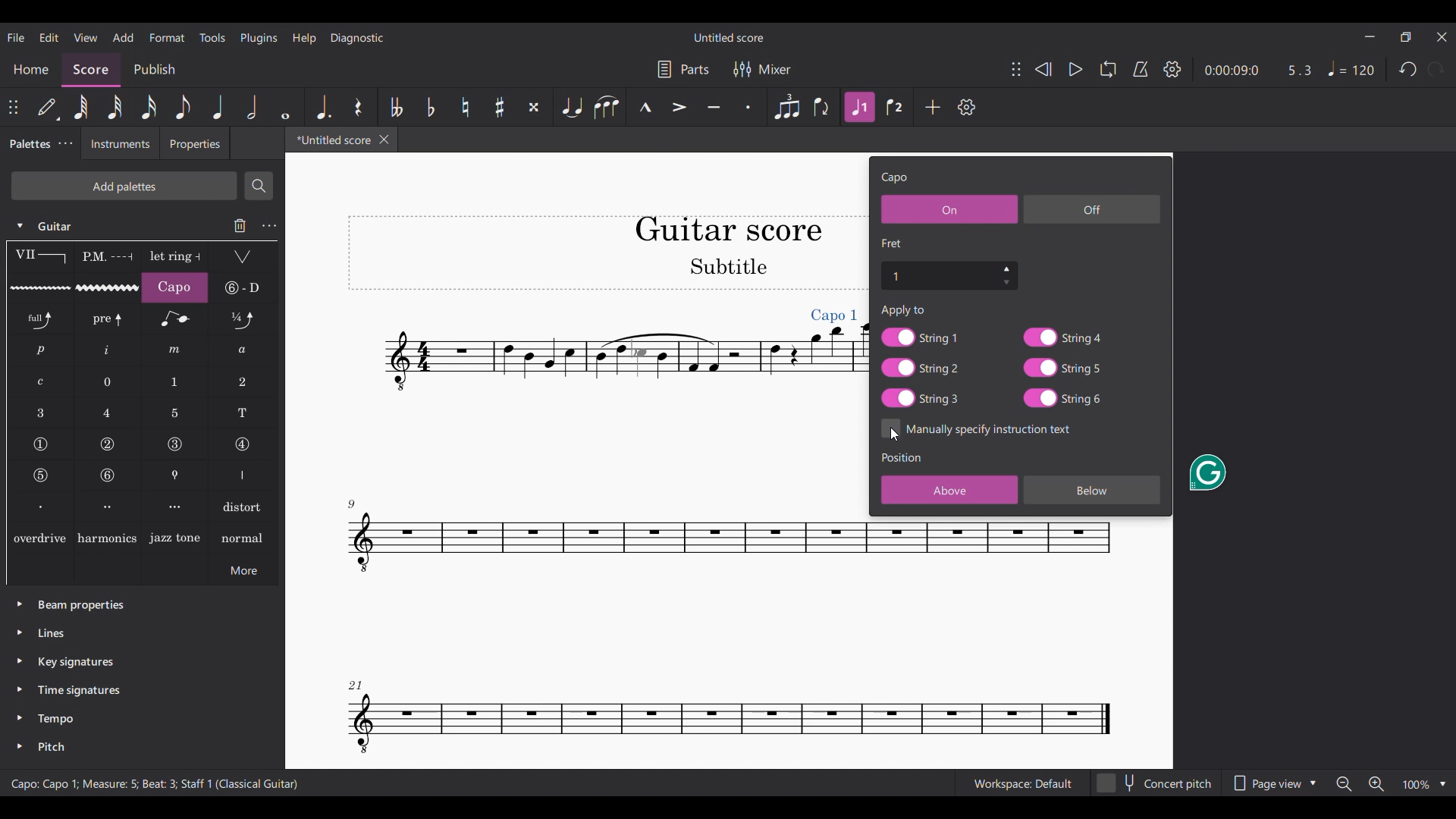 Image resolution: width=1456 pixels, height=819 pixels. What do you see at coordinates (1350, 68) in the screenshot?
I see `Tempo` at bounding box center [1350, 68].